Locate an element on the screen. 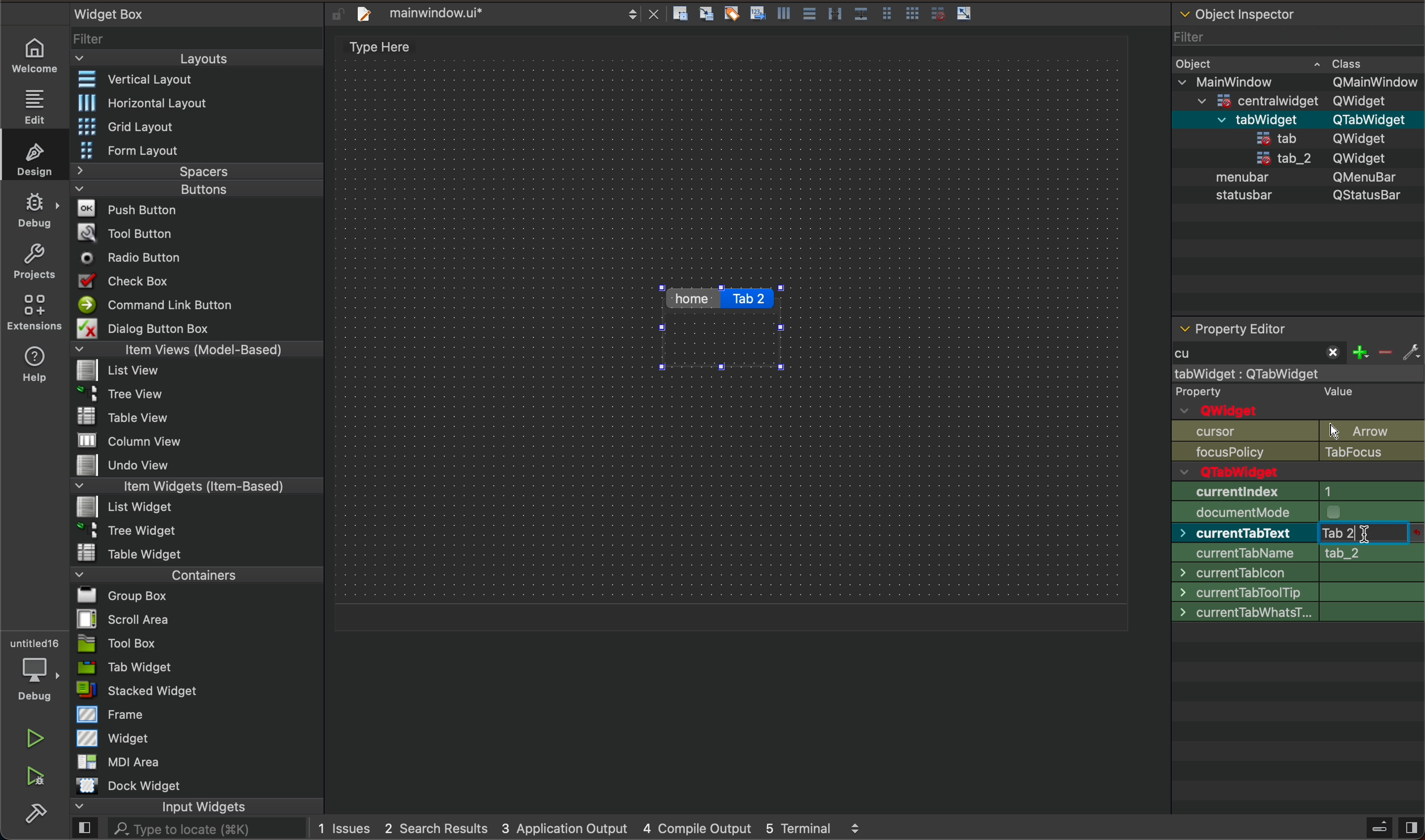  logs is located at coordinates (594, 828).